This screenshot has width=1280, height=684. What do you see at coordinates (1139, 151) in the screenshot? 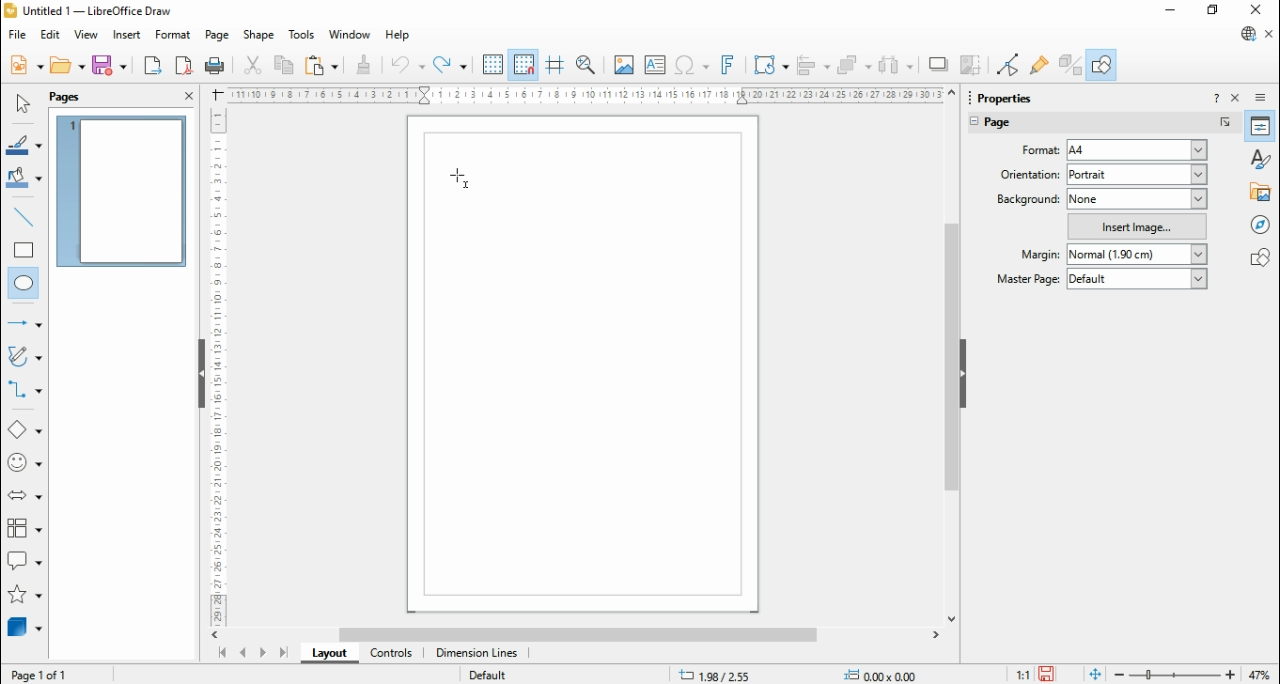
I see `A4` at bounding box center [1139, 151].